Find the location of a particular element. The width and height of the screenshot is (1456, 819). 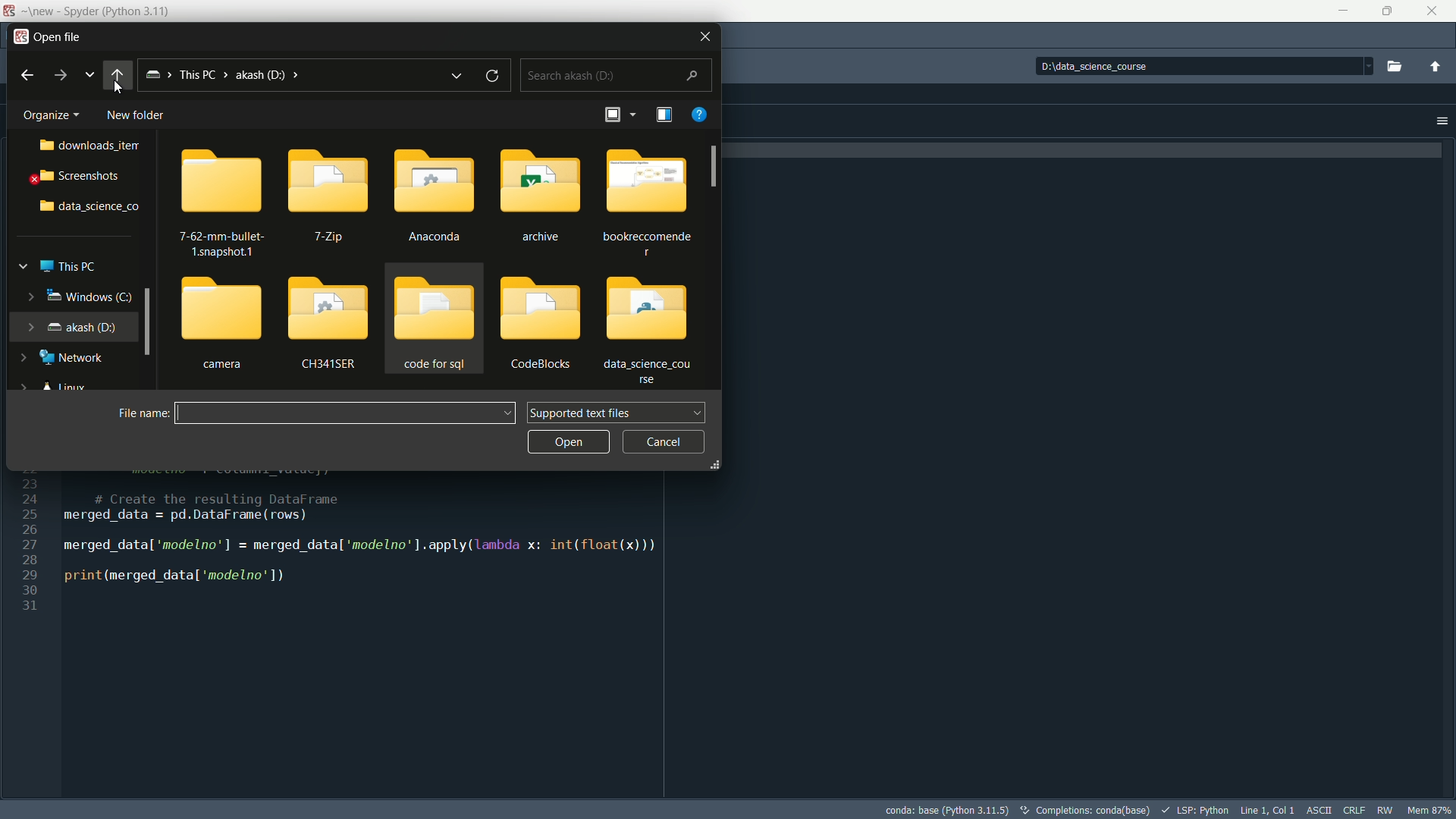

file name is located at coordinates (133, 415).